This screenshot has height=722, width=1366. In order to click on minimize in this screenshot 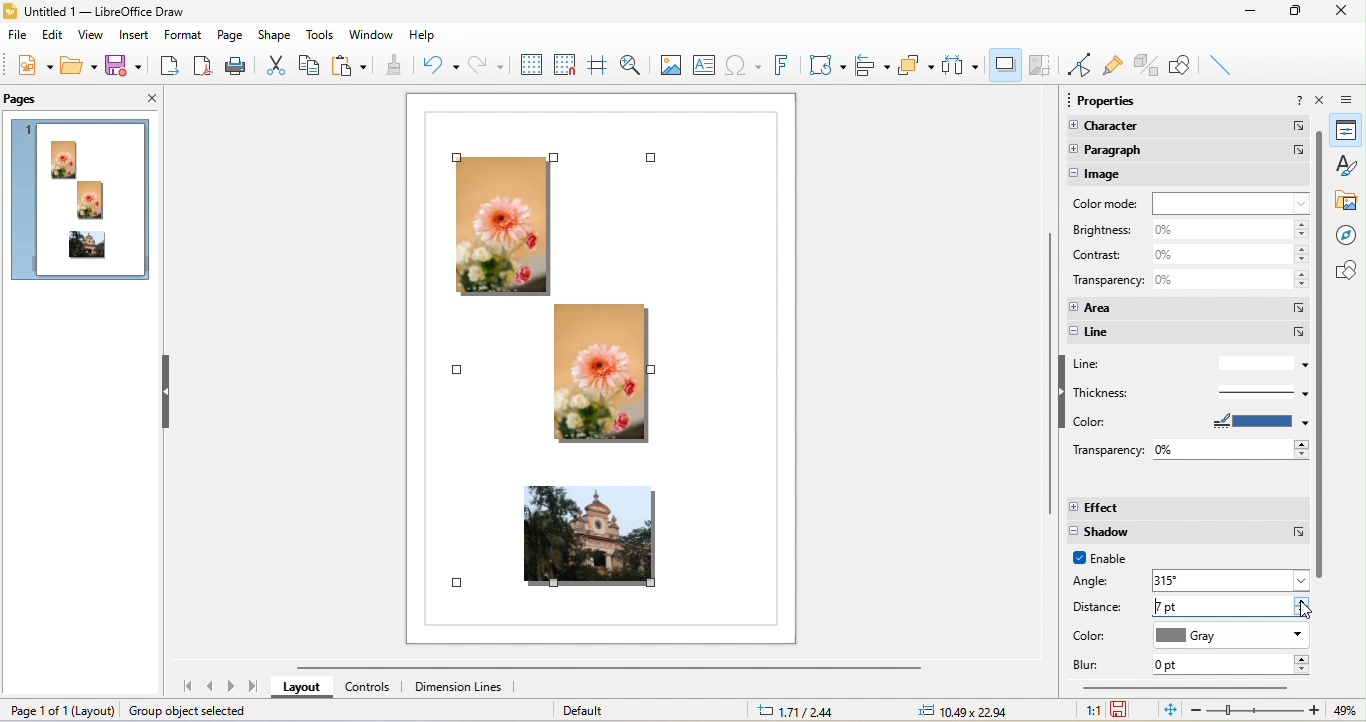, I will do `click(1258, 15)`.